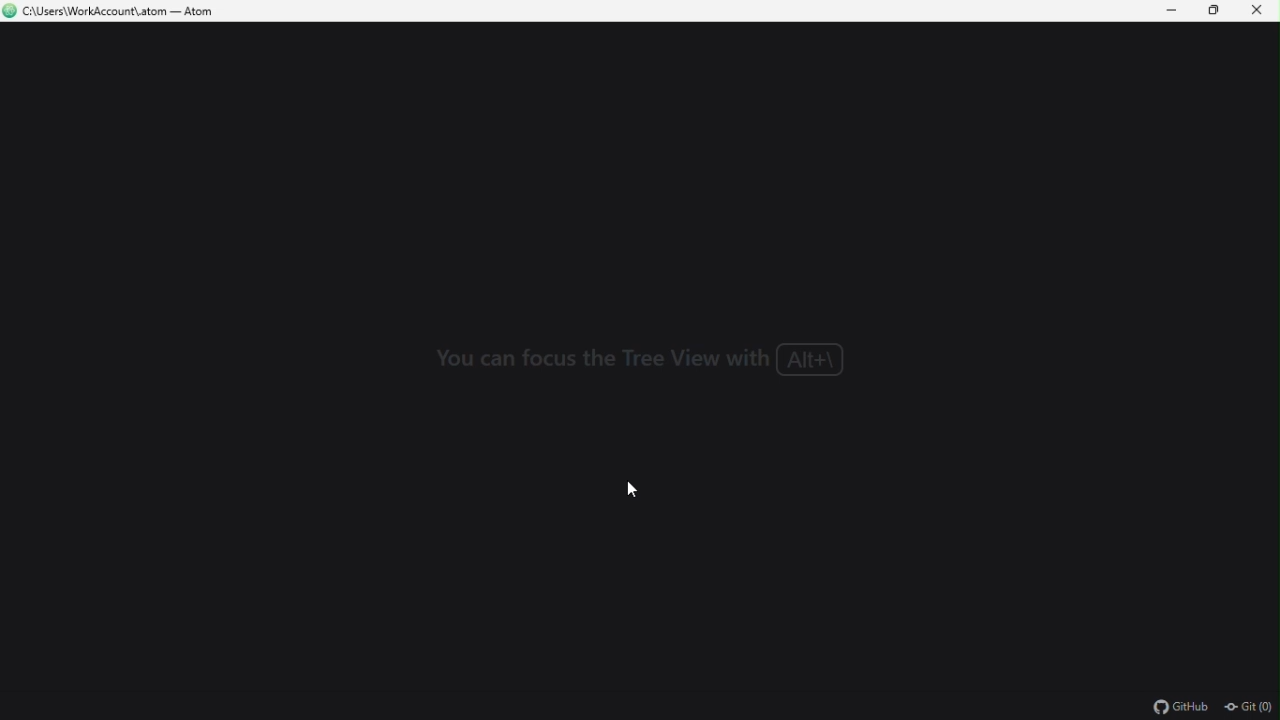 The width and height of the screenshot is (1280, 720). What do you see at coordinates (642, 363) in the screenshot?
I see `text` at bounding box center [642, 363].